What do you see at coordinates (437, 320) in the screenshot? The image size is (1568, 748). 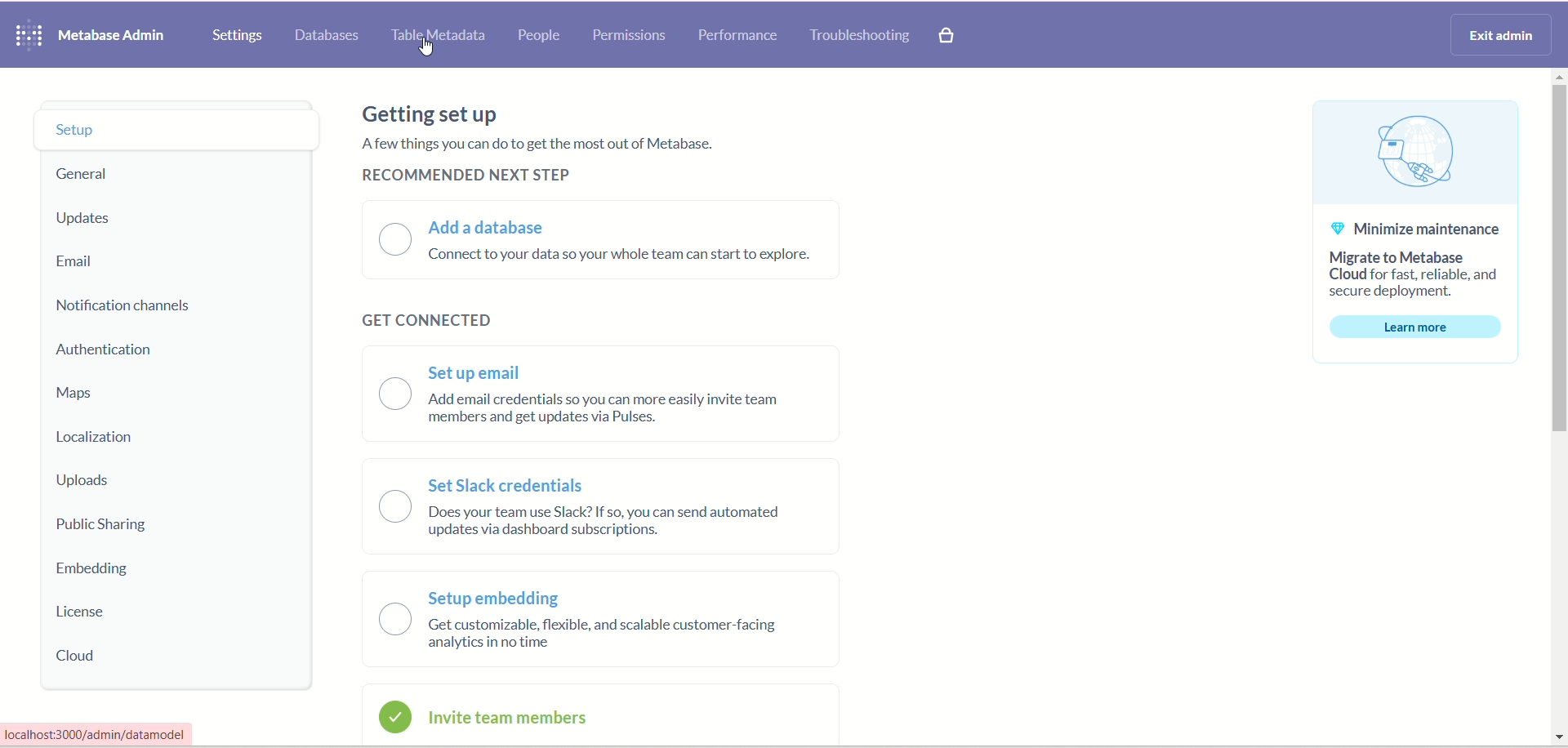 I see `get connected` at bounding box center [437, 320].